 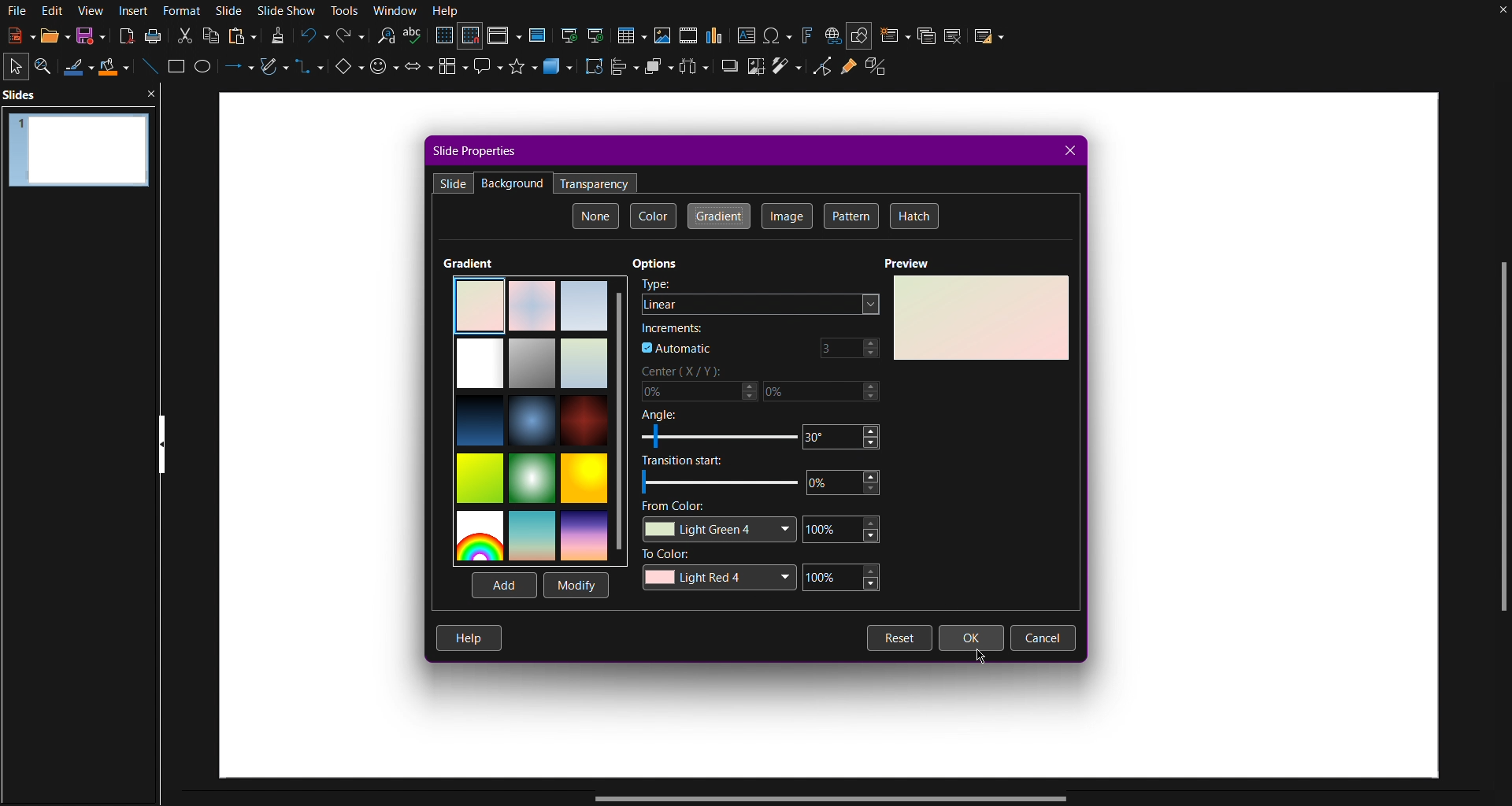 I want to click on Gradient Options, so click(x=540, y=418).